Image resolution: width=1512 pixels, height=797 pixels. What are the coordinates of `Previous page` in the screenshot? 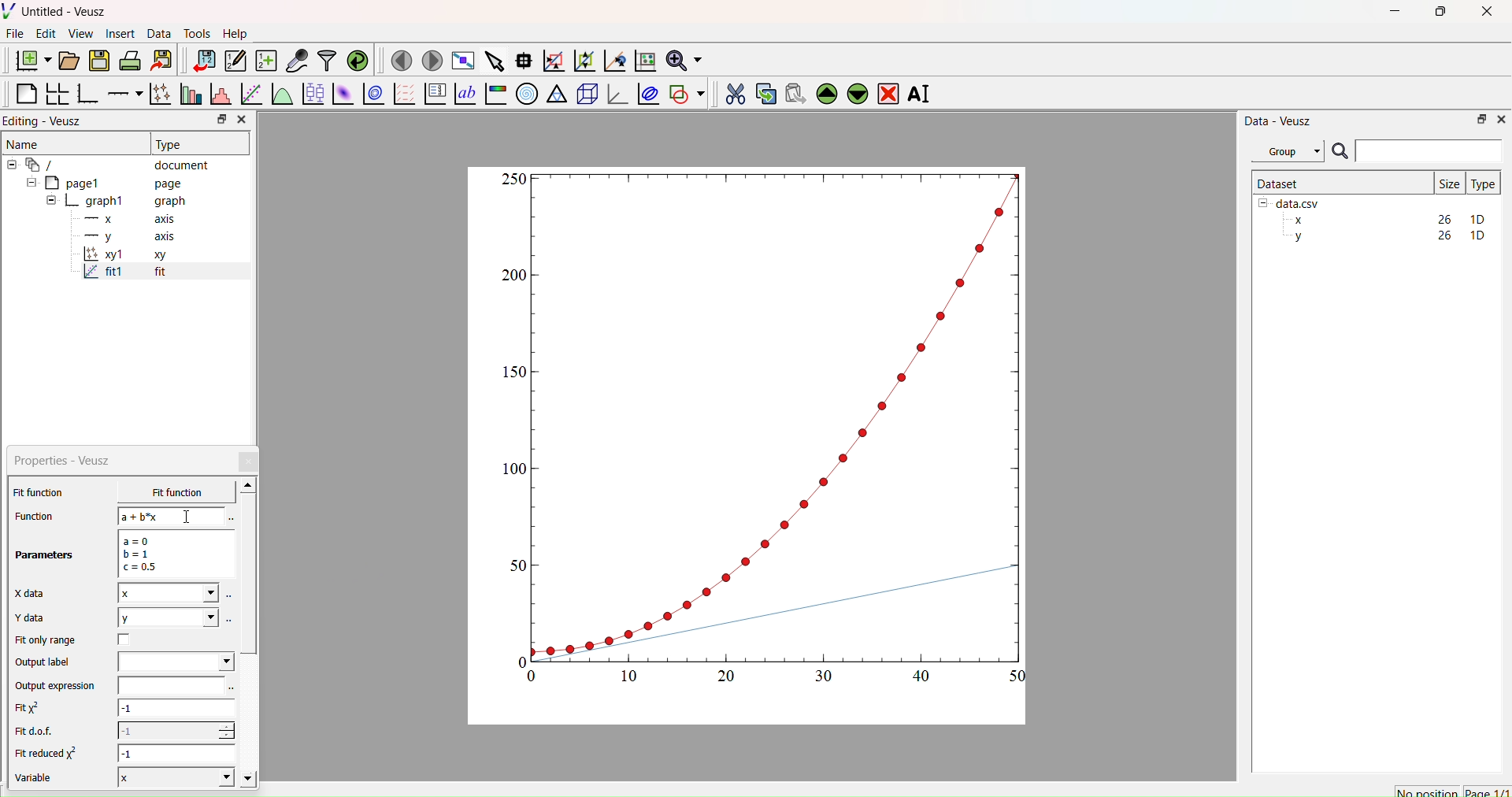 It's located at (402, 61).